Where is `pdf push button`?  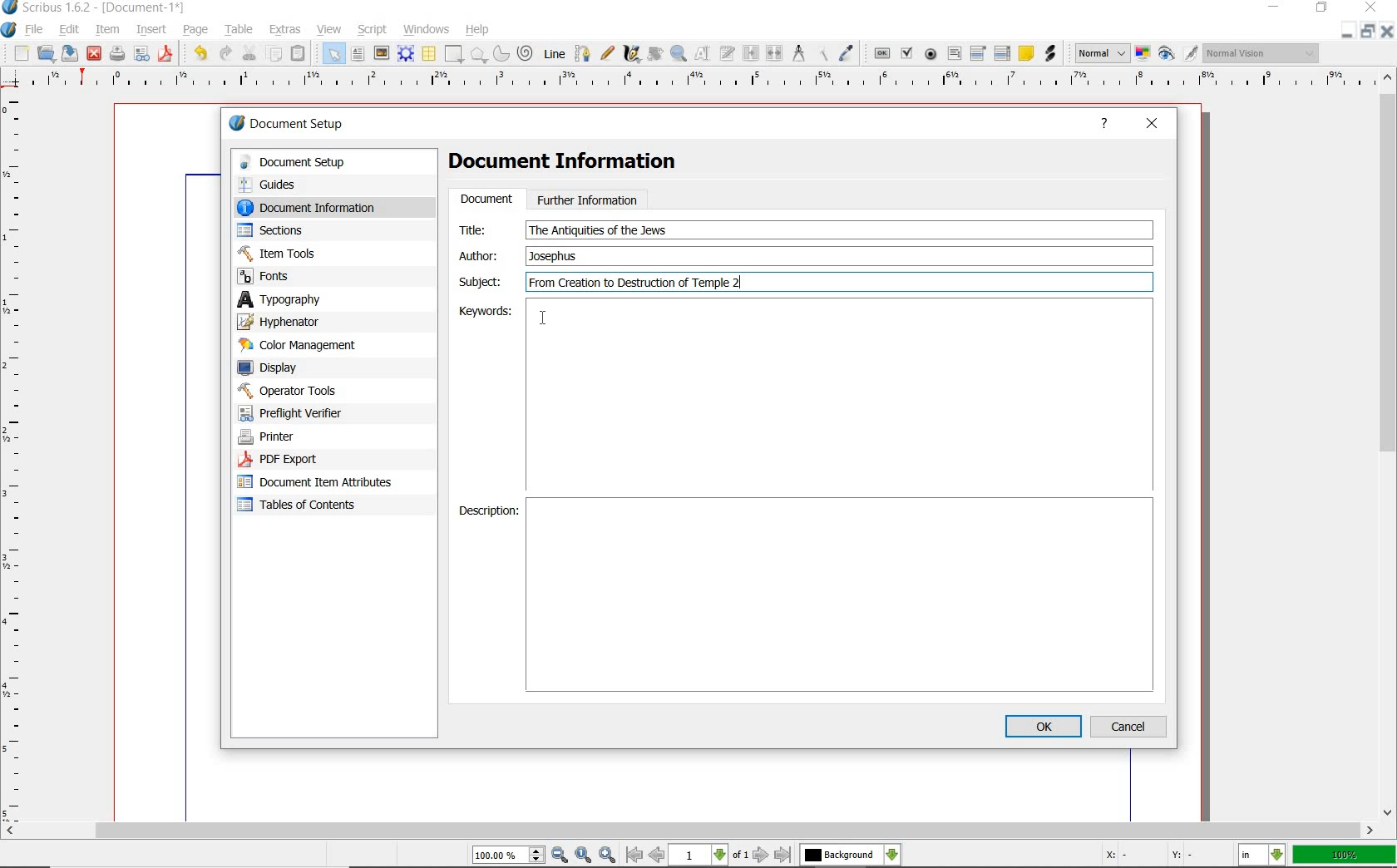 pdf push button is located at coordinates (881, 53).